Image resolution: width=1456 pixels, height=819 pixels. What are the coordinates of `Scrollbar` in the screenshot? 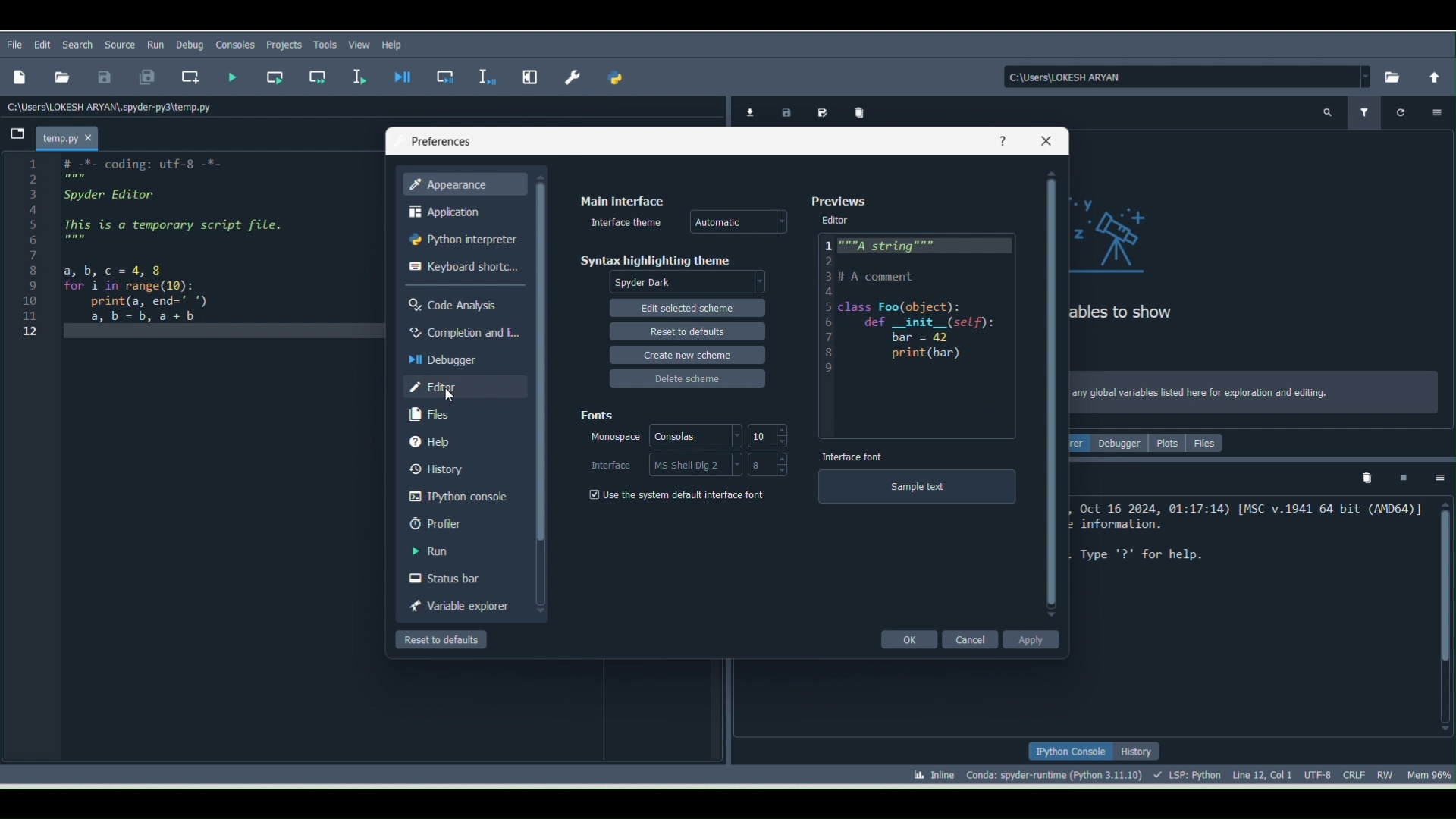 It's located at (1050, 394).